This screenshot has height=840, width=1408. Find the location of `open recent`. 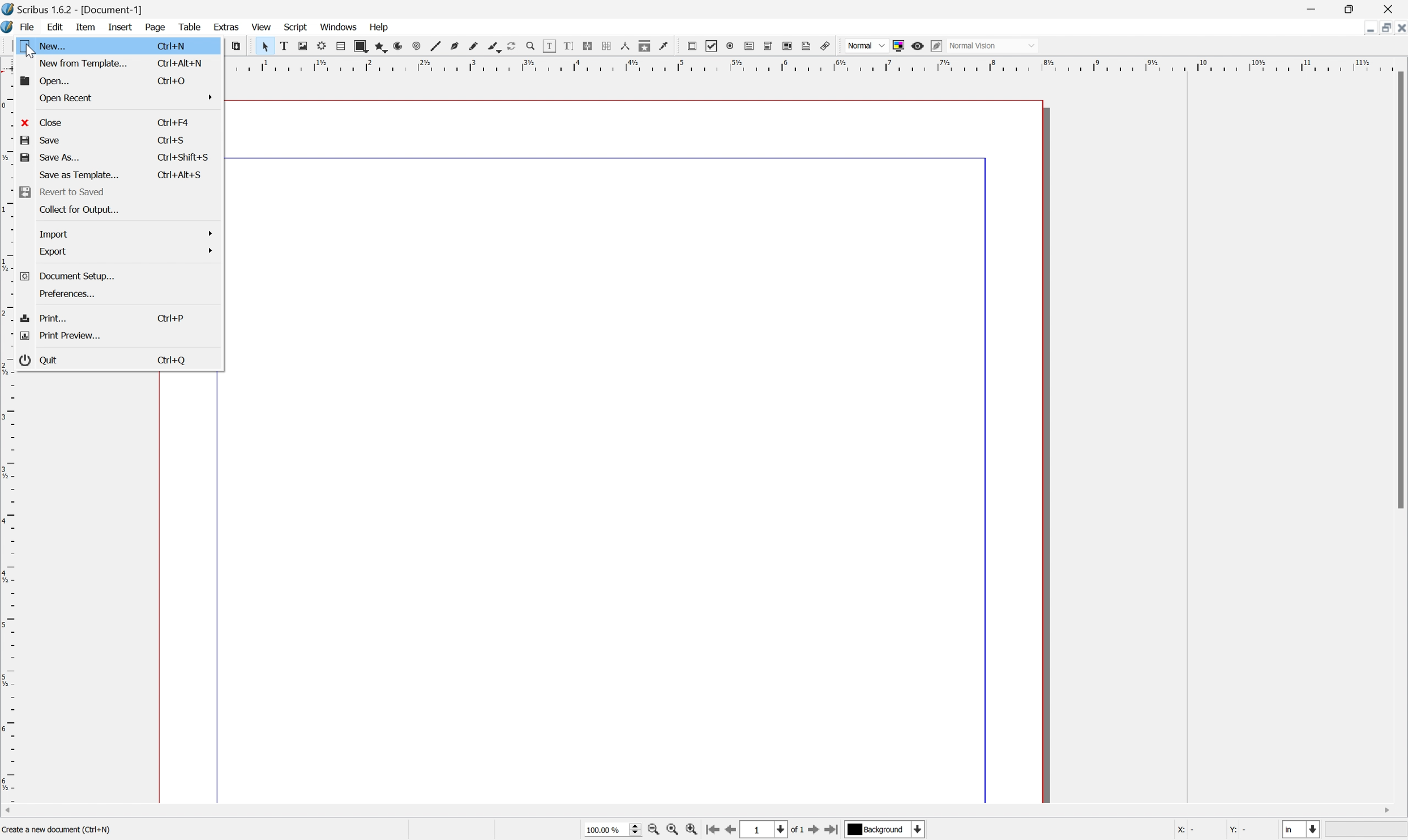

open recent is located at coordinates (123, 97).